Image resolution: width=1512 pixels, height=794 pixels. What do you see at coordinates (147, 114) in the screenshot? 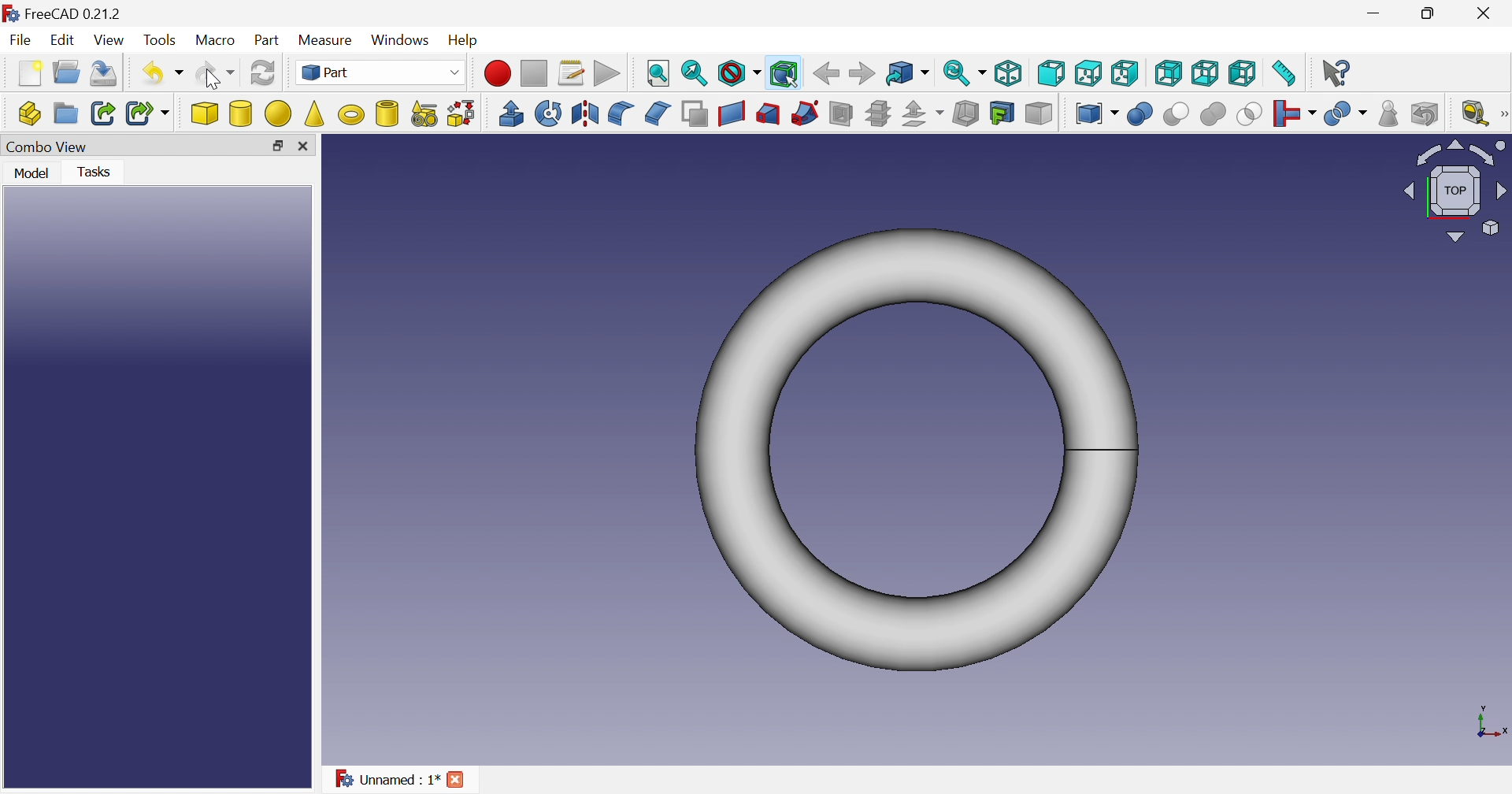
I see `Make sub-link` at bounding box center [147, 114].